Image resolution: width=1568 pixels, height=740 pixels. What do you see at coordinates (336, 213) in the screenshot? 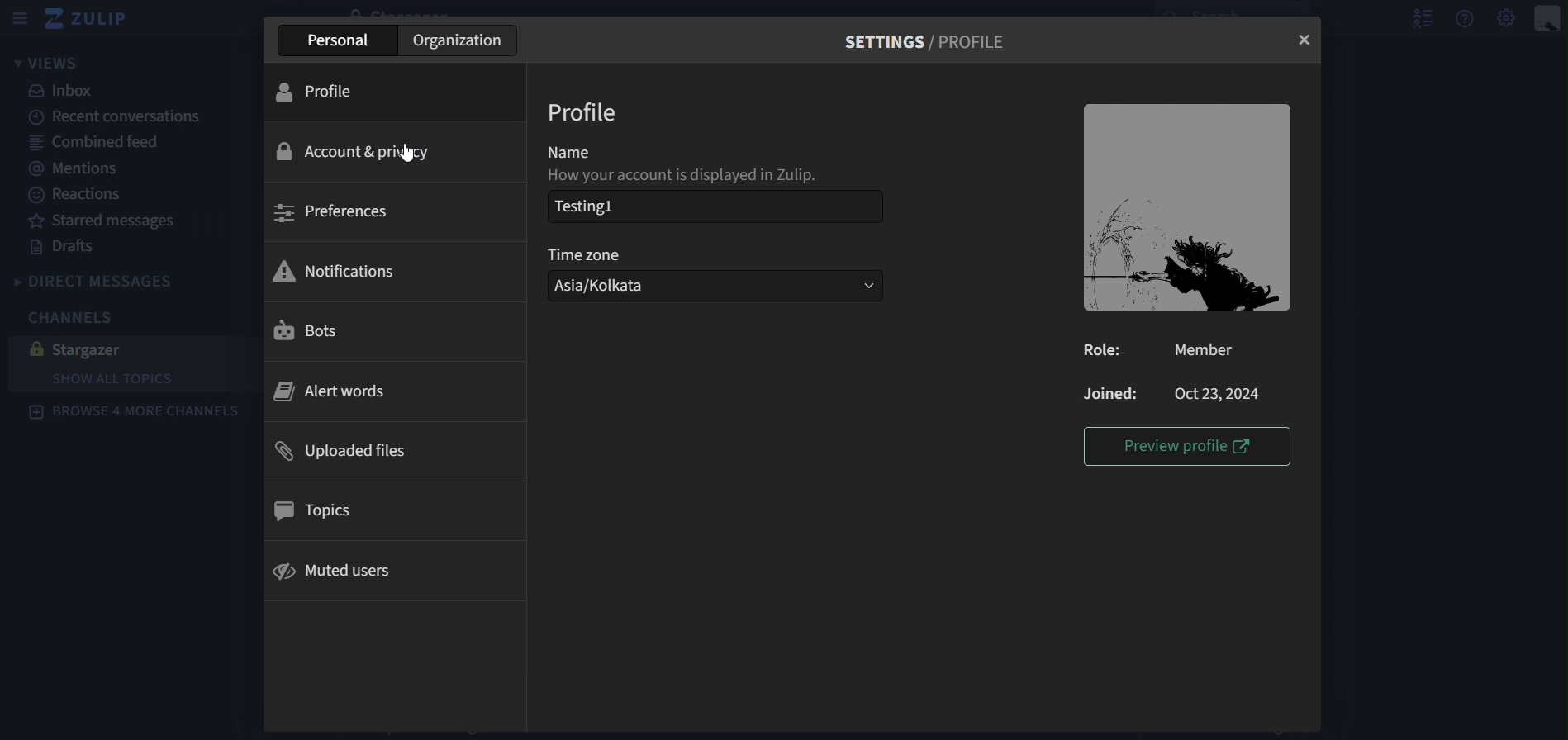
I see `preferences` at bounding box center [336, 213].